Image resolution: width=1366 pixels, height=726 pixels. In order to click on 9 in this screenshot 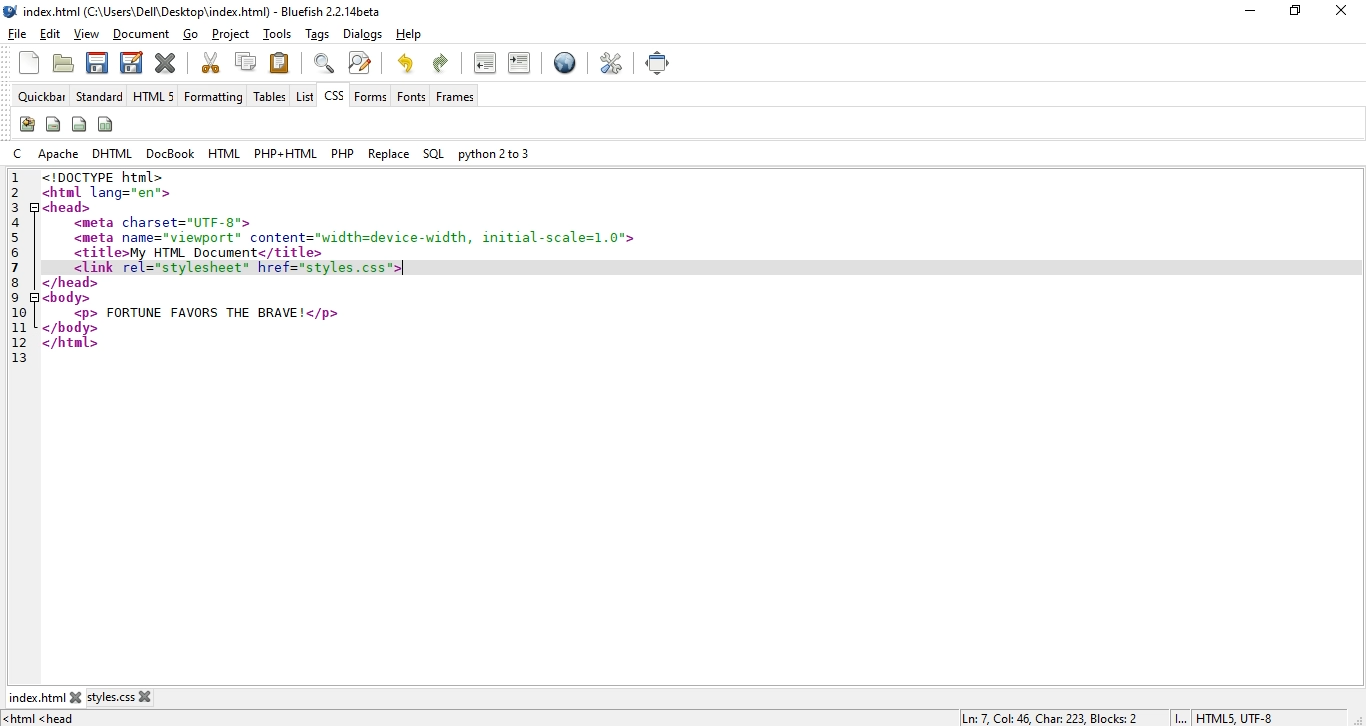, I will do `click(18, 297)`.